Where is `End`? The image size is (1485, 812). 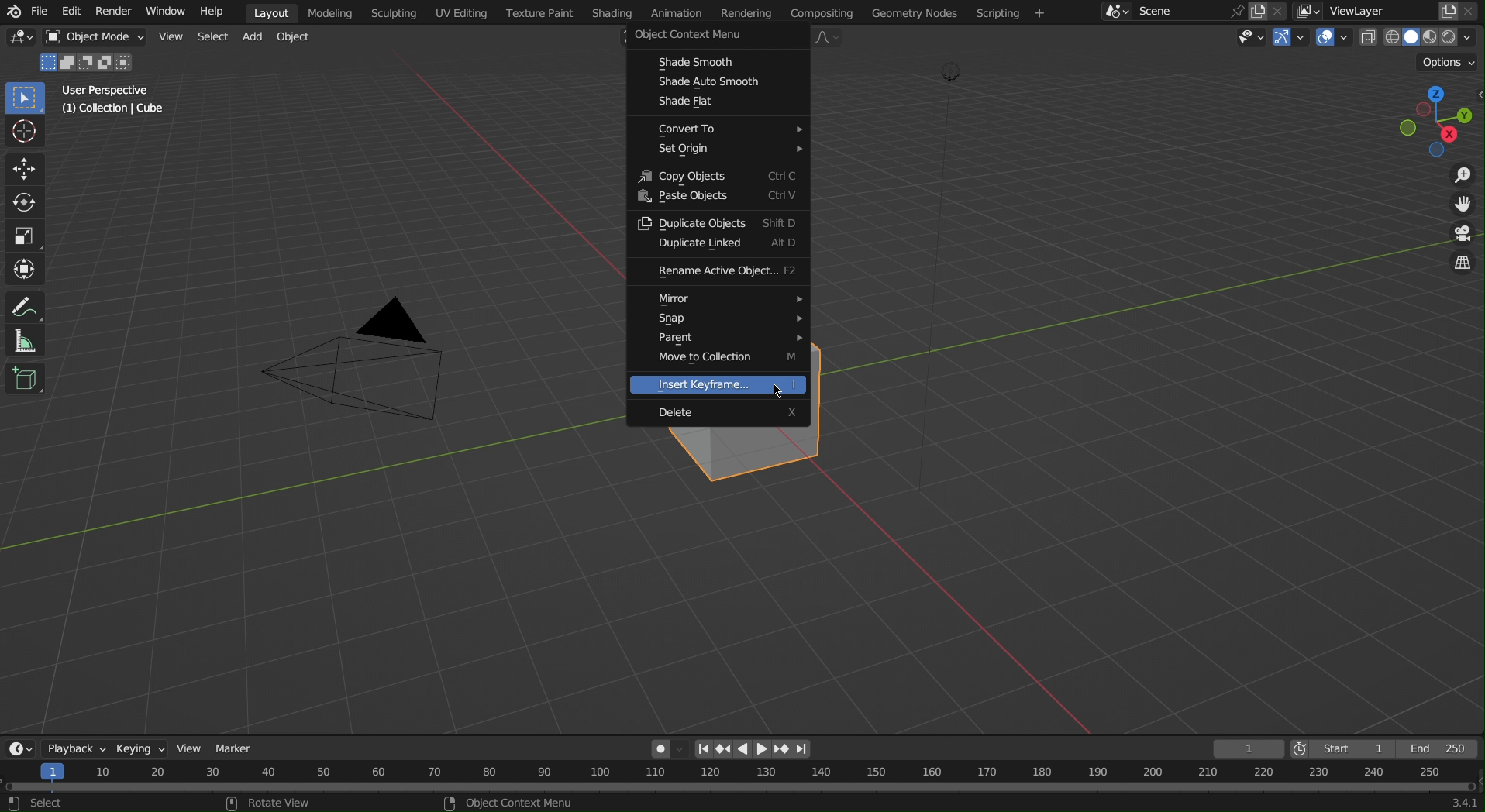
End is located at coordinates (1445, 748).